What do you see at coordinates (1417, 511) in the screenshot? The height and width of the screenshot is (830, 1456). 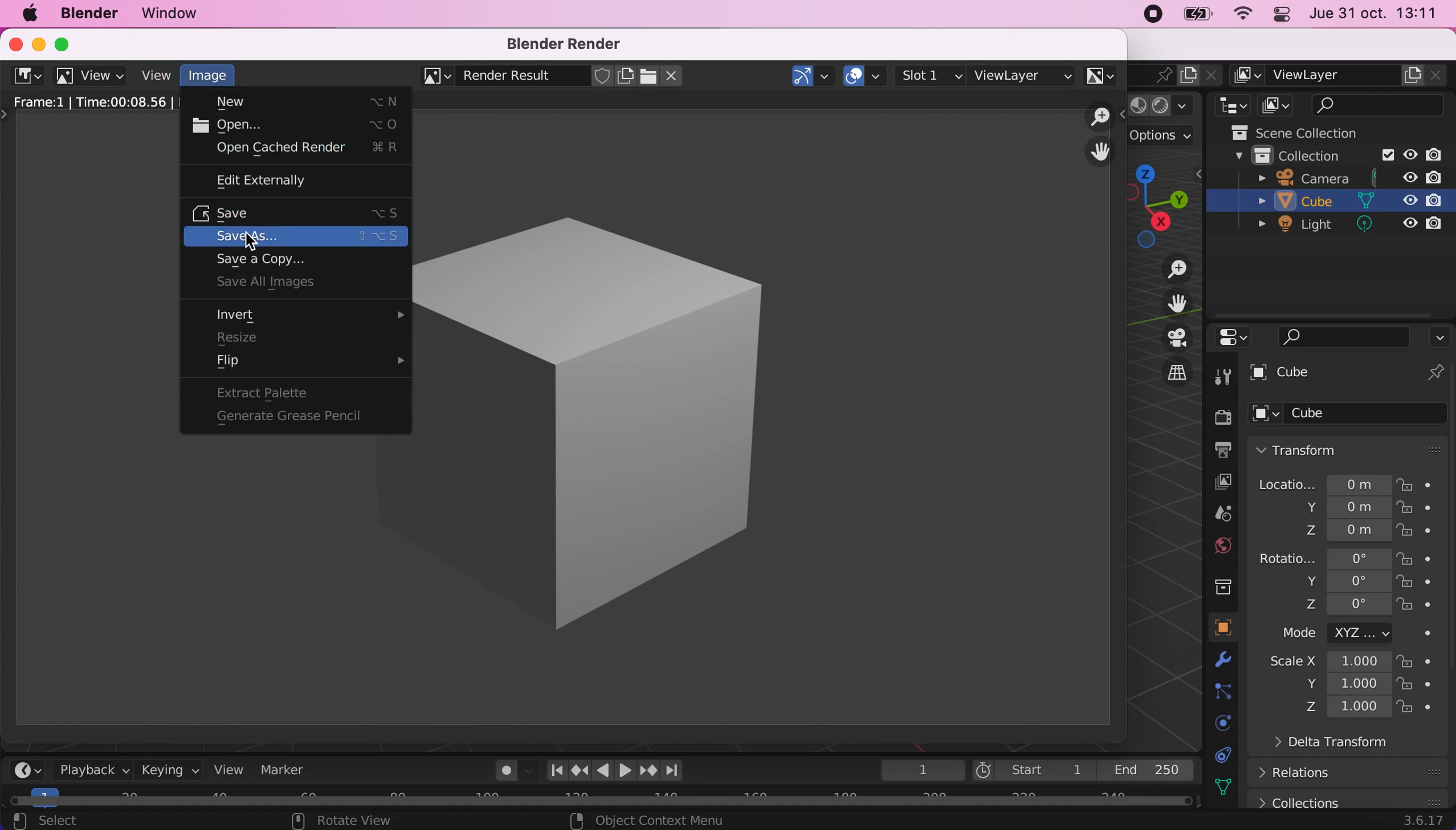 I see `lock` at bounding box center [1417, 511].